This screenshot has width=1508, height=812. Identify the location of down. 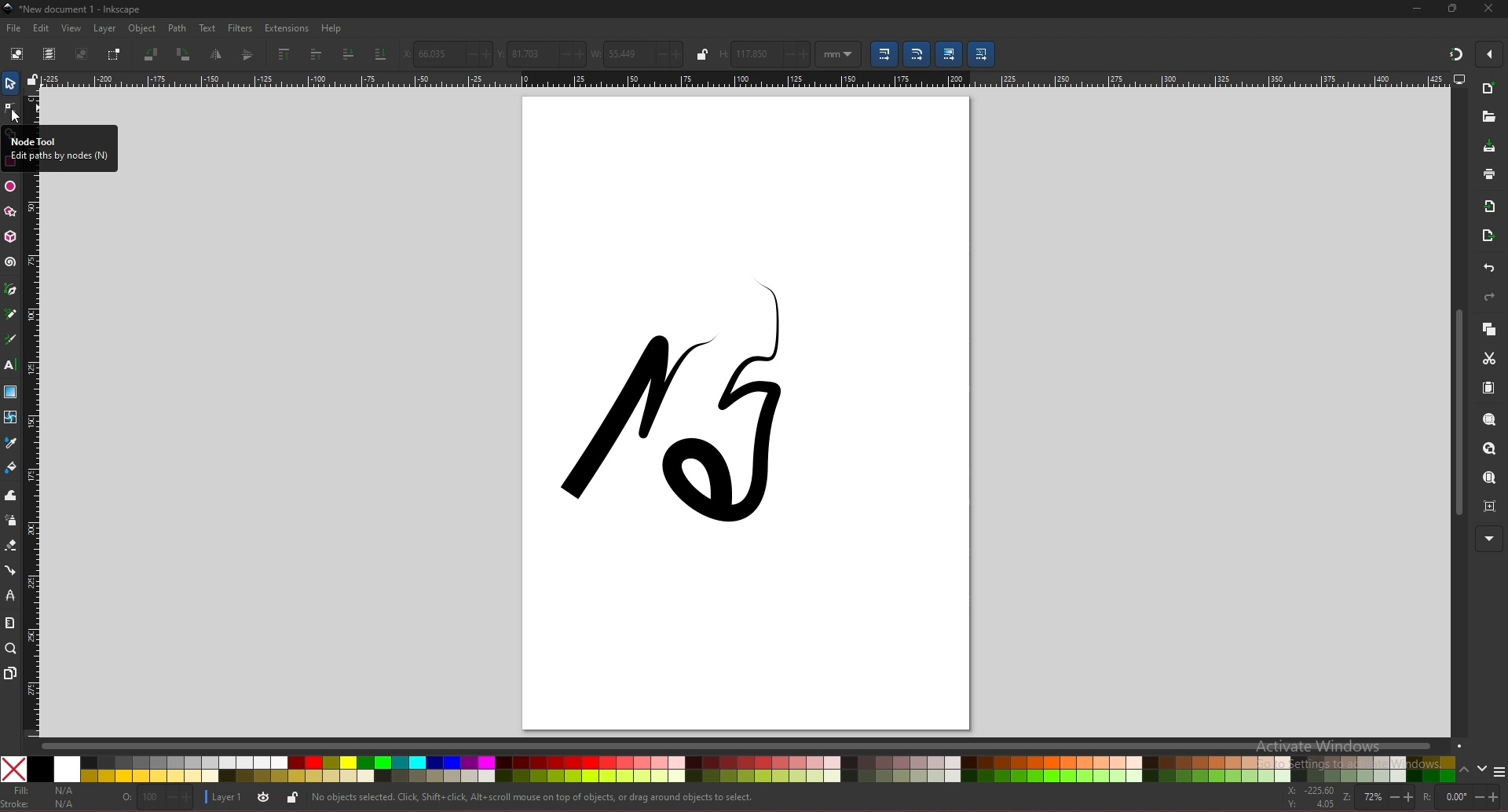
(1484, 769).